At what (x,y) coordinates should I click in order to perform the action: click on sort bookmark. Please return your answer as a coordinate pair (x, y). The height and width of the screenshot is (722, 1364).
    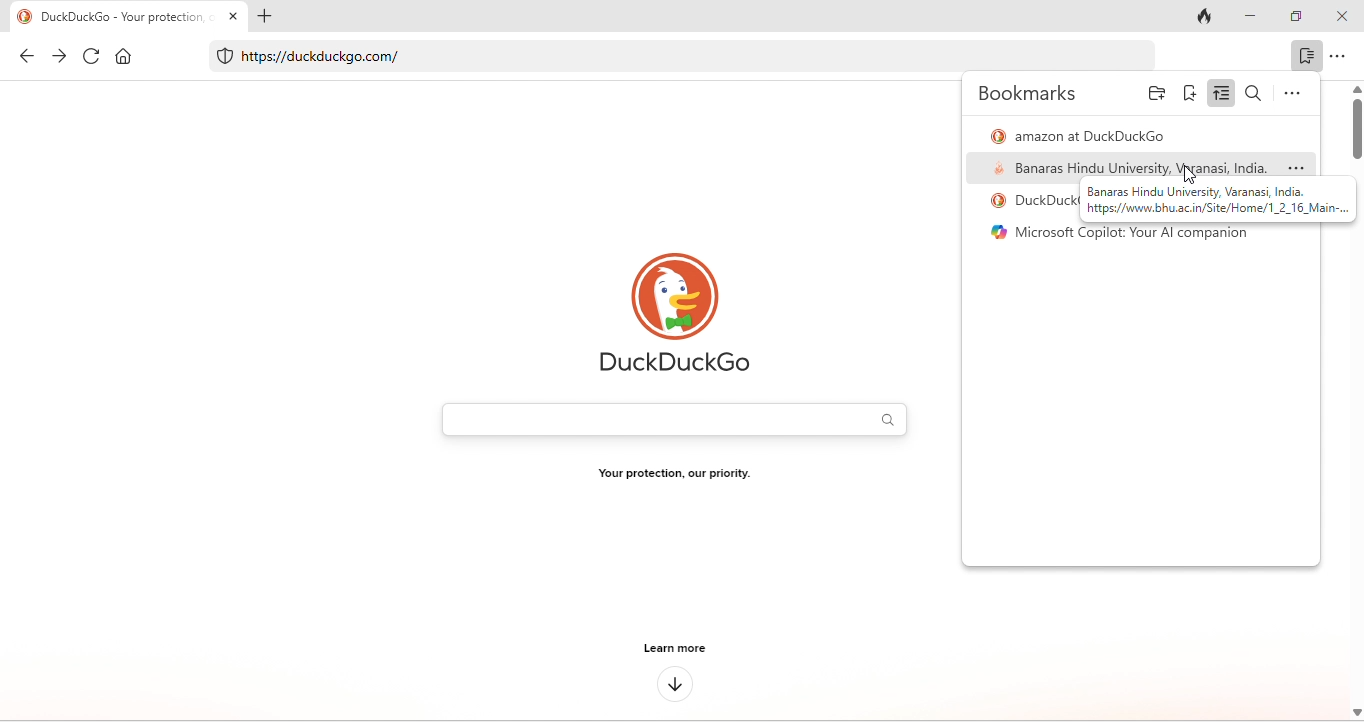
    Looking at the image, I should click on (1220, 92).